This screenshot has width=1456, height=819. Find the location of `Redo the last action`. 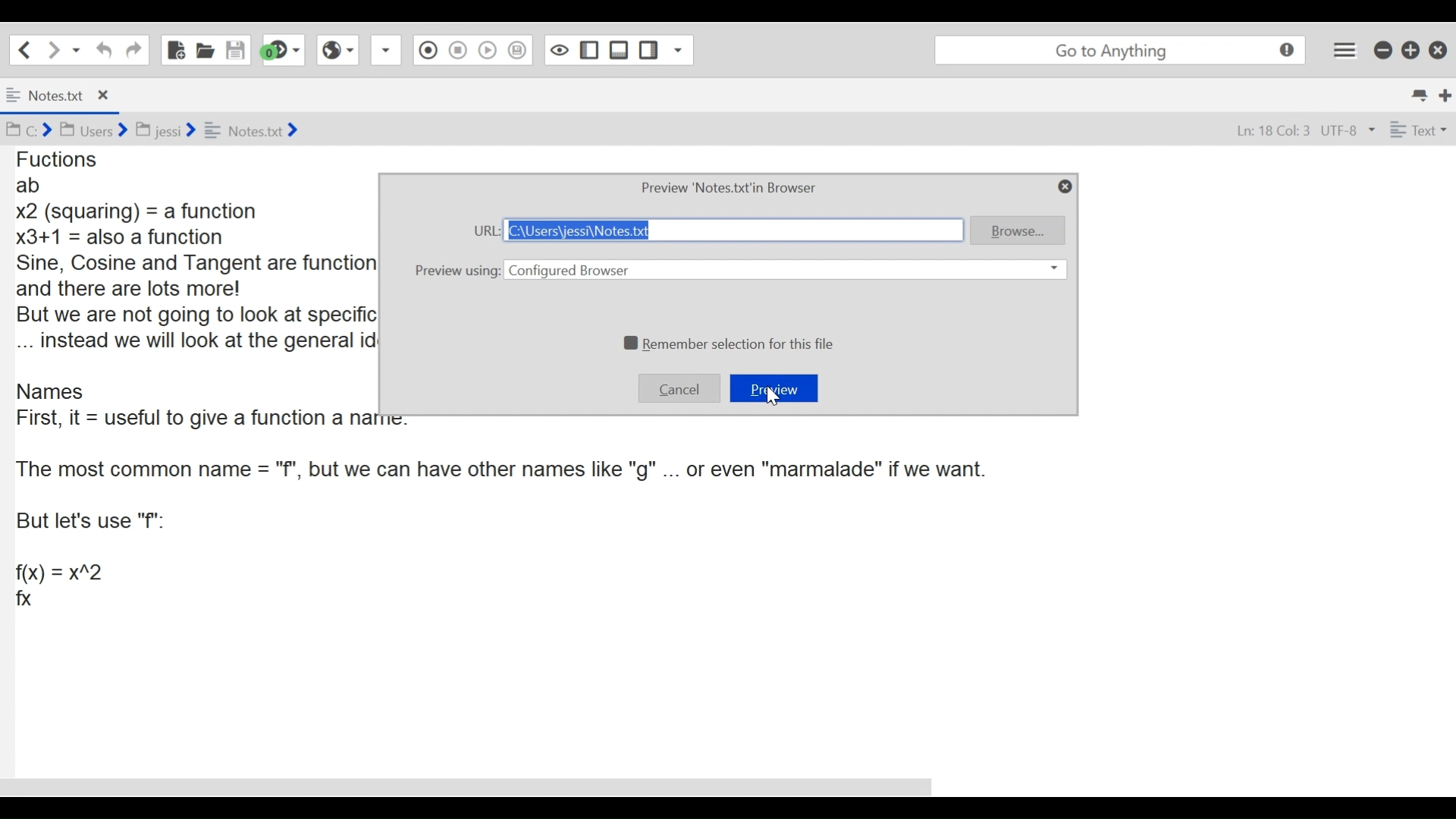

Redo the last action is located at coordinates (104, 50).